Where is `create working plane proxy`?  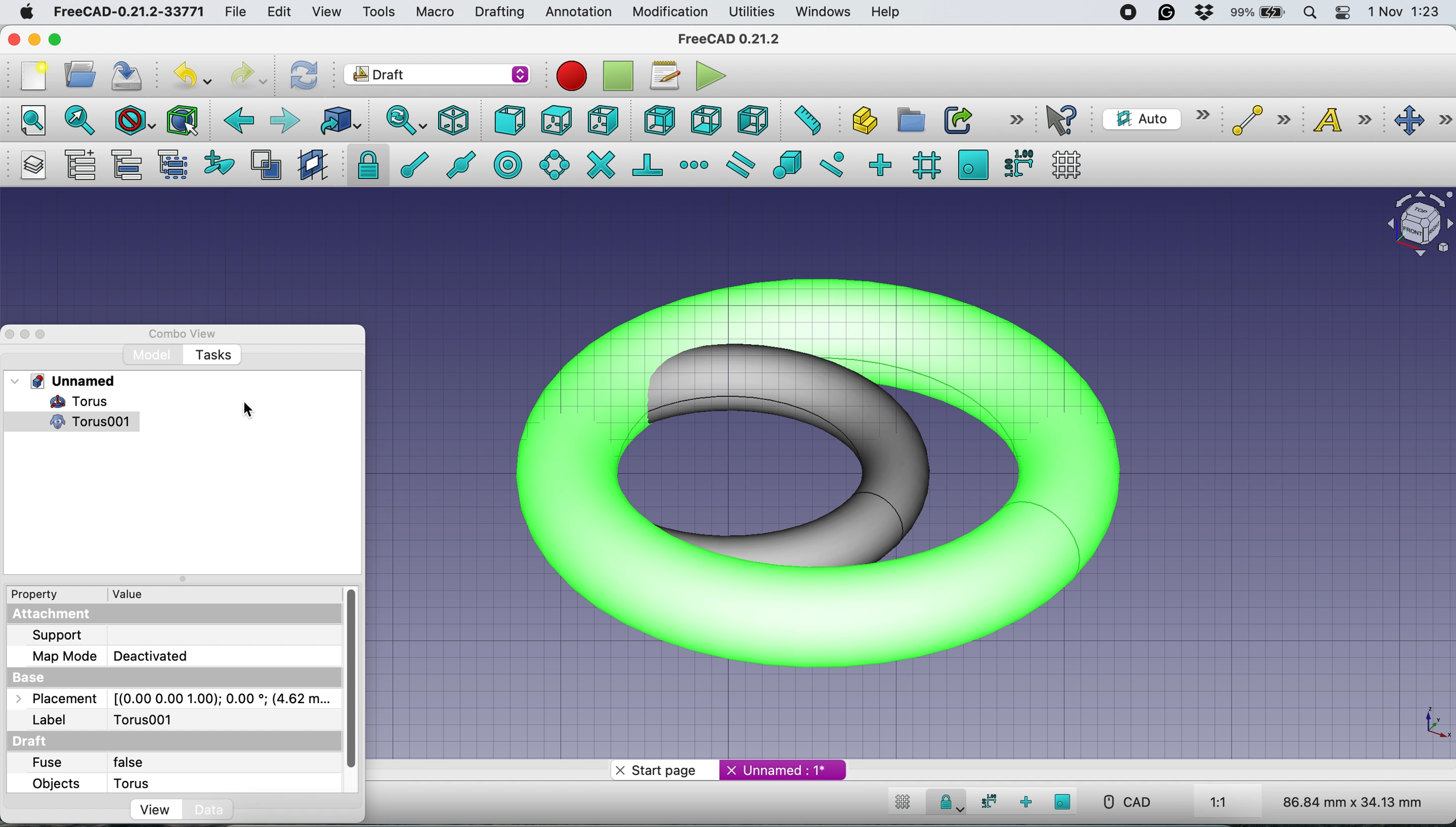 create working plane proxy is located at coordinates (311, 164).